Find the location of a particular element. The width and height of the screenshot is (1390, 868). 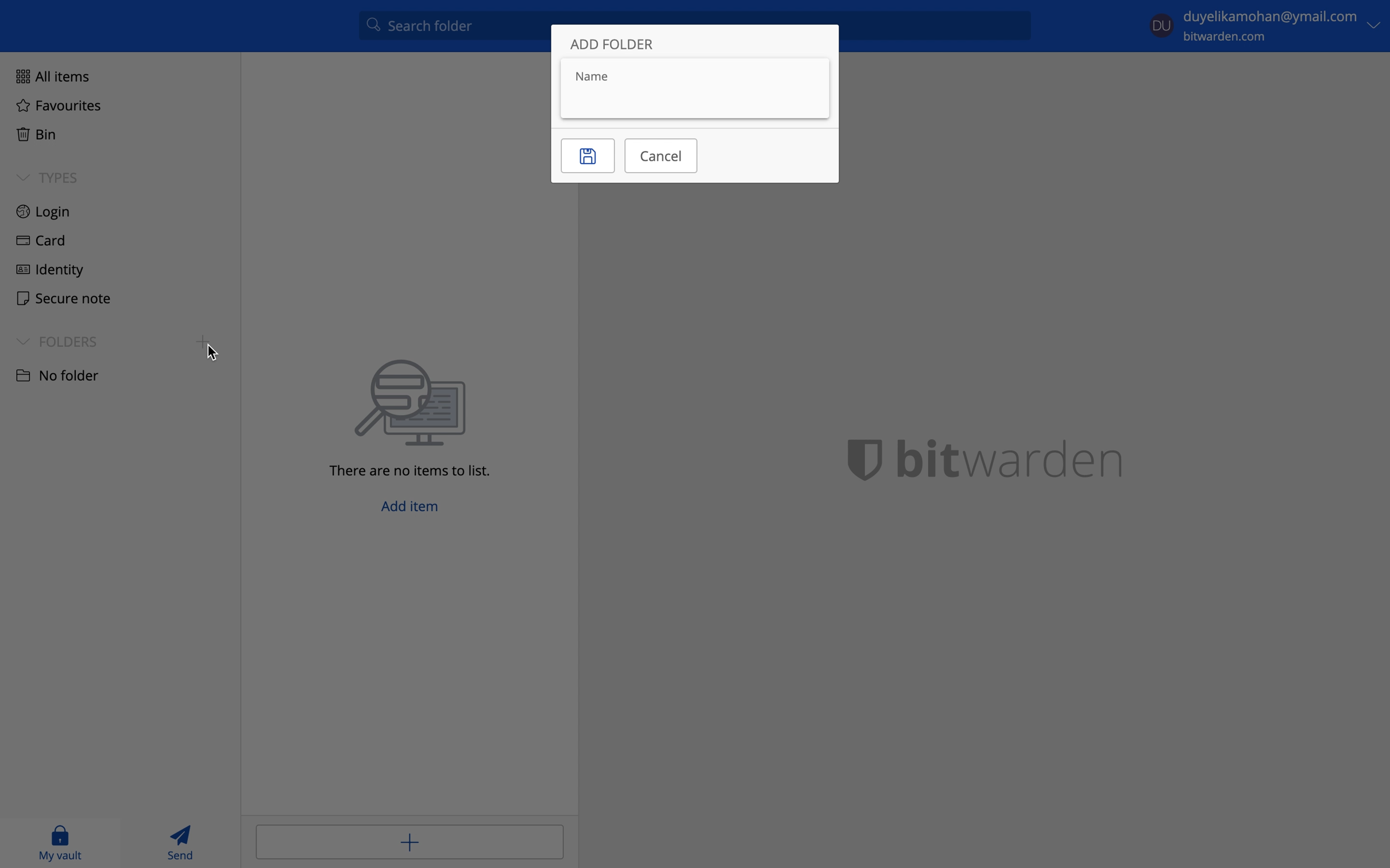

bitwarden is located at coordinates (999, 457).